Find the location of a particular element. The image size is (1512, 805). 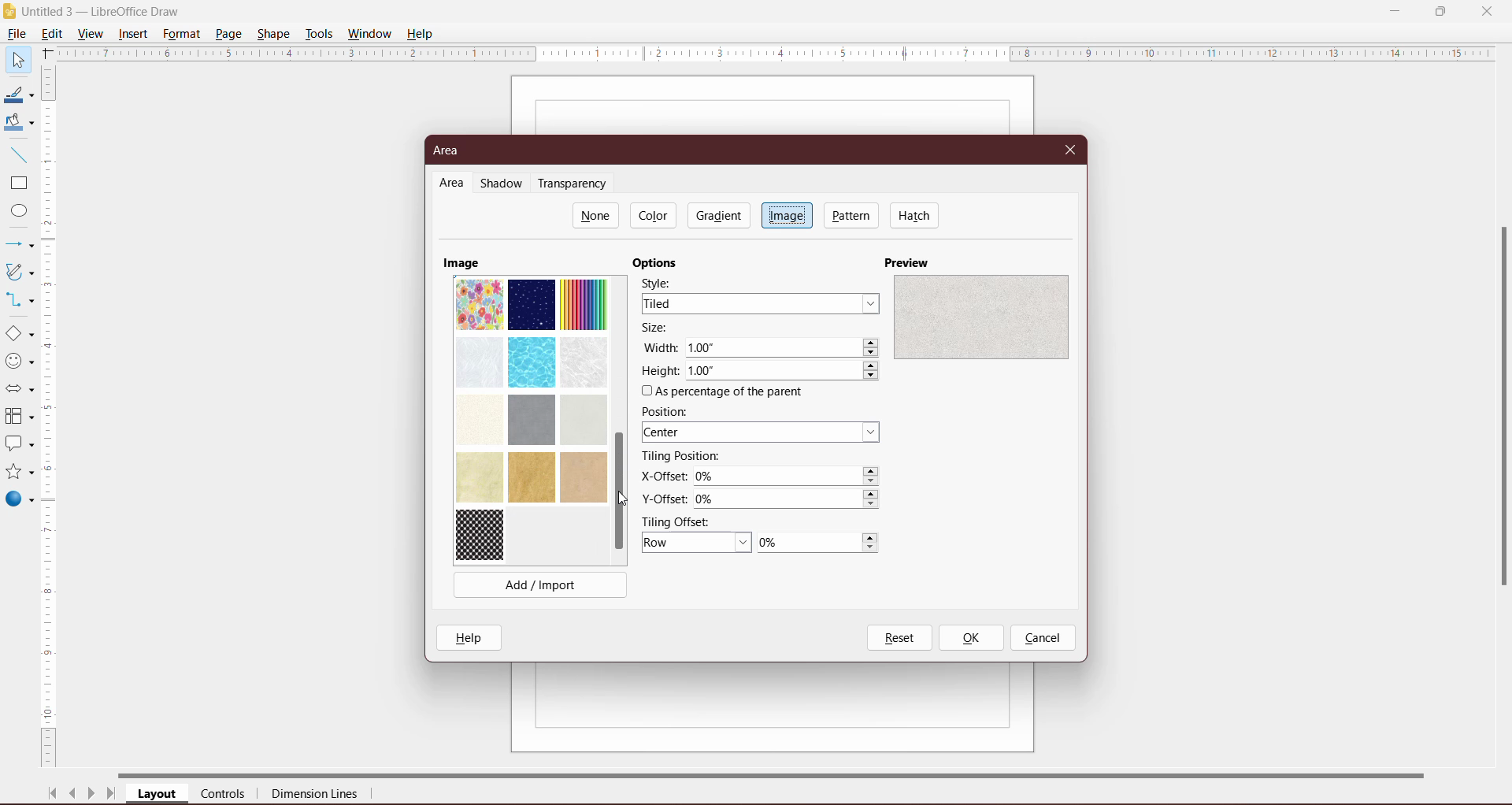

Add/Import is located at coordinates (541, 584).